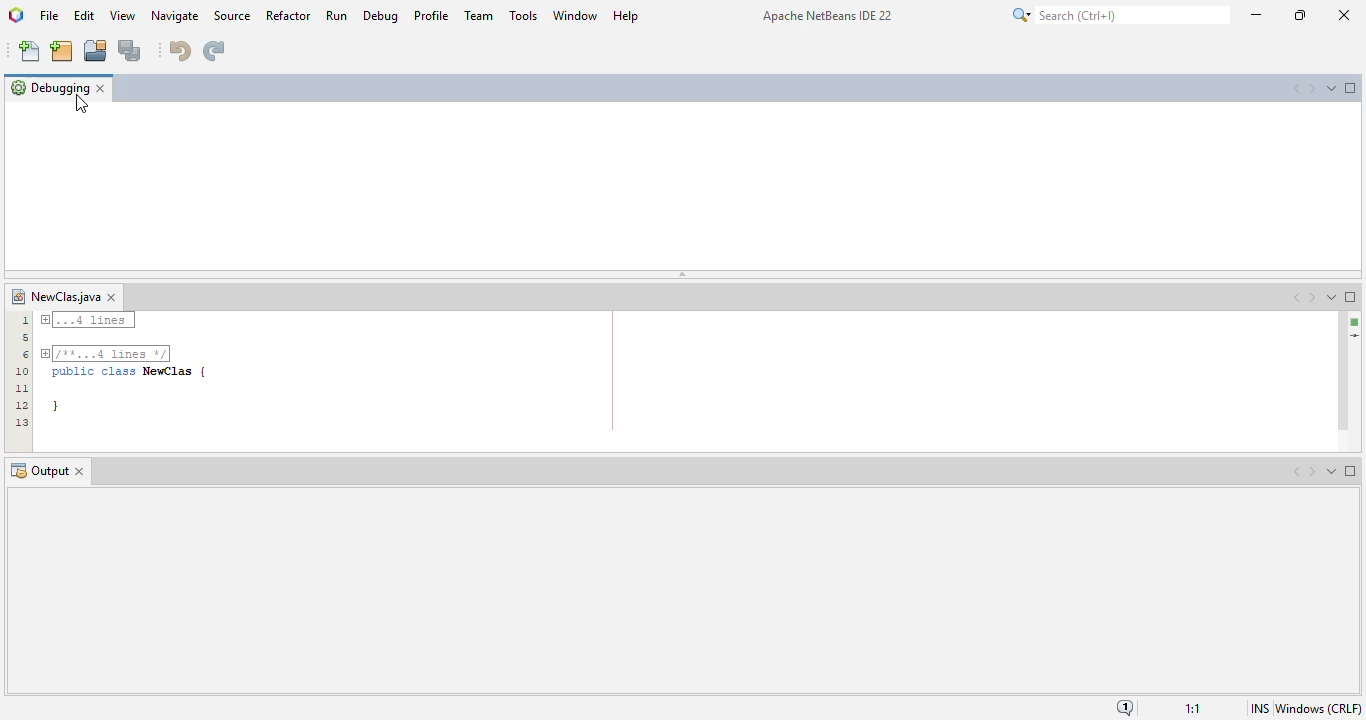  Describe the element at coordinates (1259, 708) in the screenshot. I see `insert mode` at that location.